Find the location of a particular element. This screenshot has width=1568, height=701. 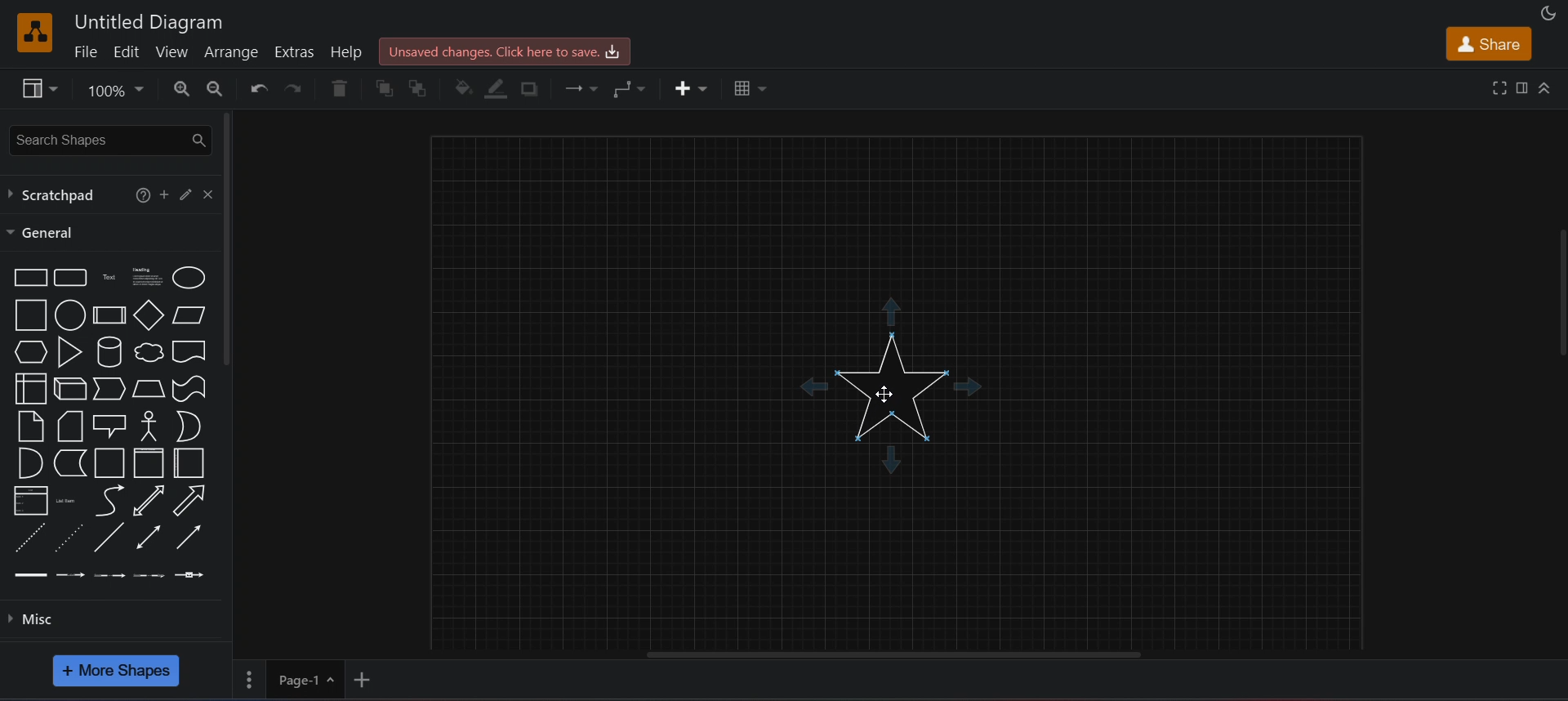

fill color is located at coordinates (464, 87).